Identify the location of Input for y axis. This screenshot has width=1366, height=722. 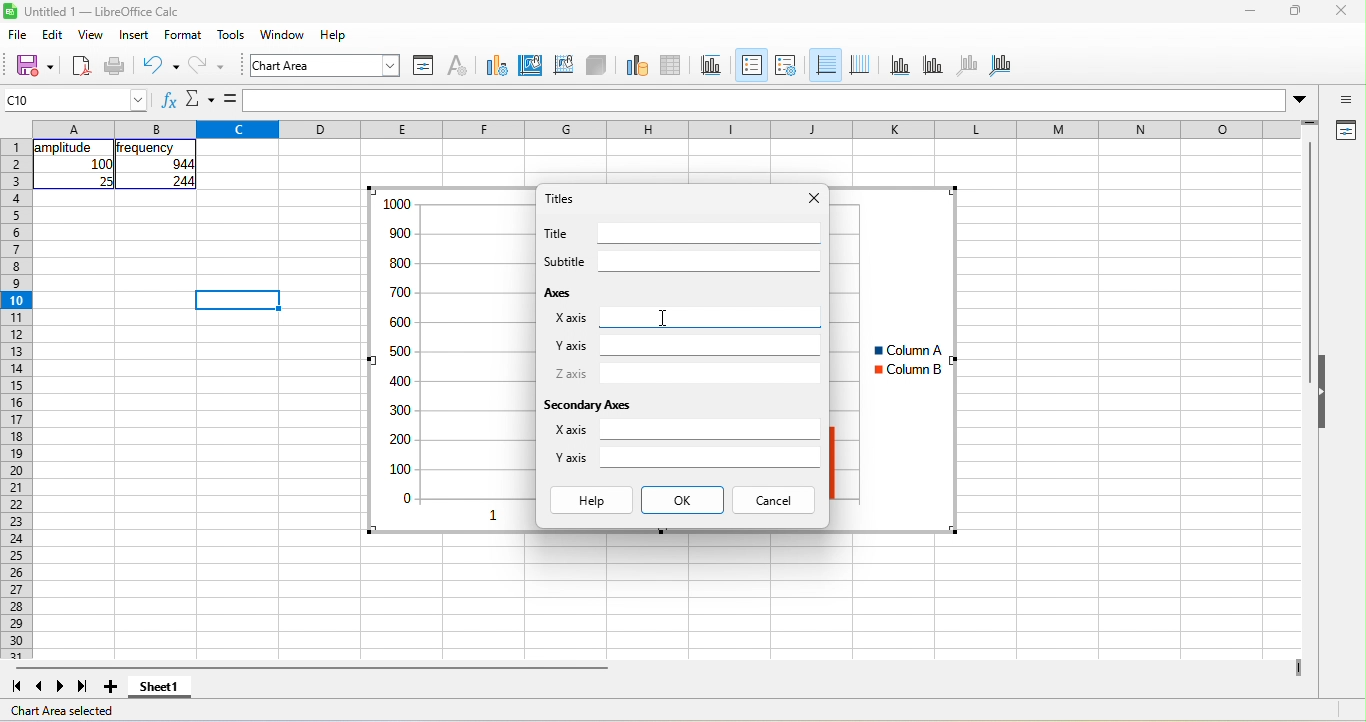
(711, 345).